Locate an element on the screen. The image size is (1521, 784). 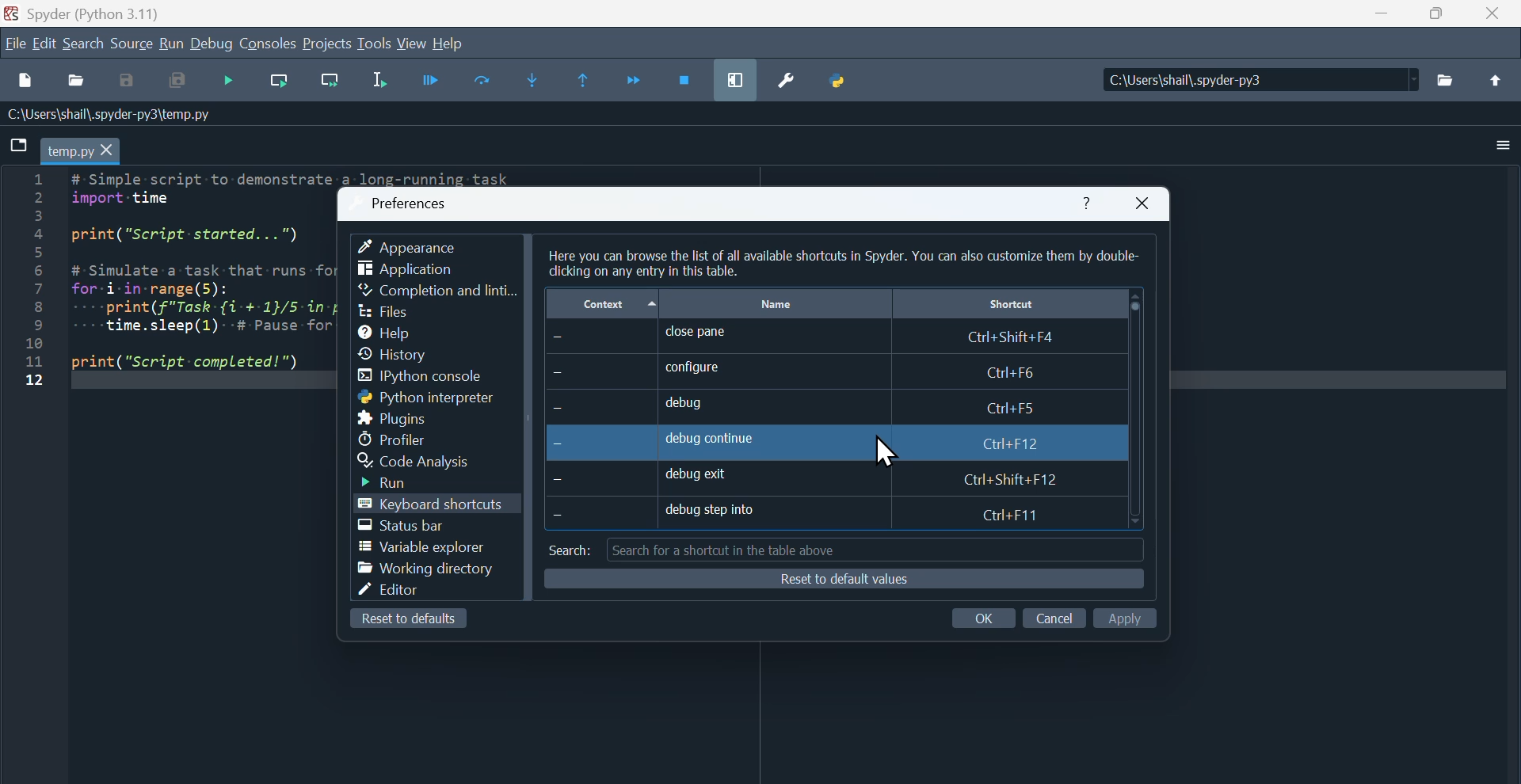
debug continue is located at coordinates (813, 441).